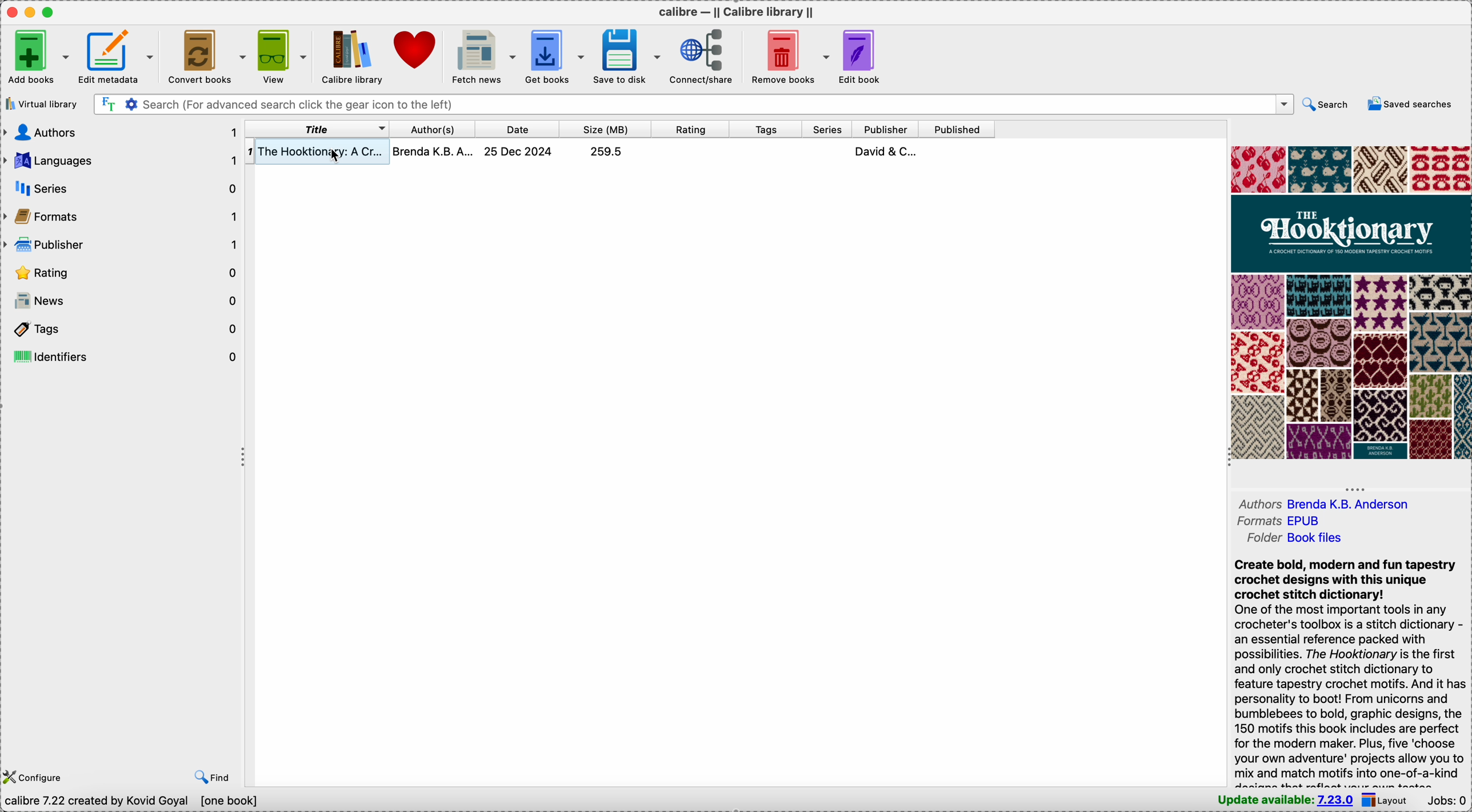 Image resolution: width=1472 pixels, height=812 pixels. Describe the element at coordinates (1279, 523) in the screenshot. I see `formats` at that location.